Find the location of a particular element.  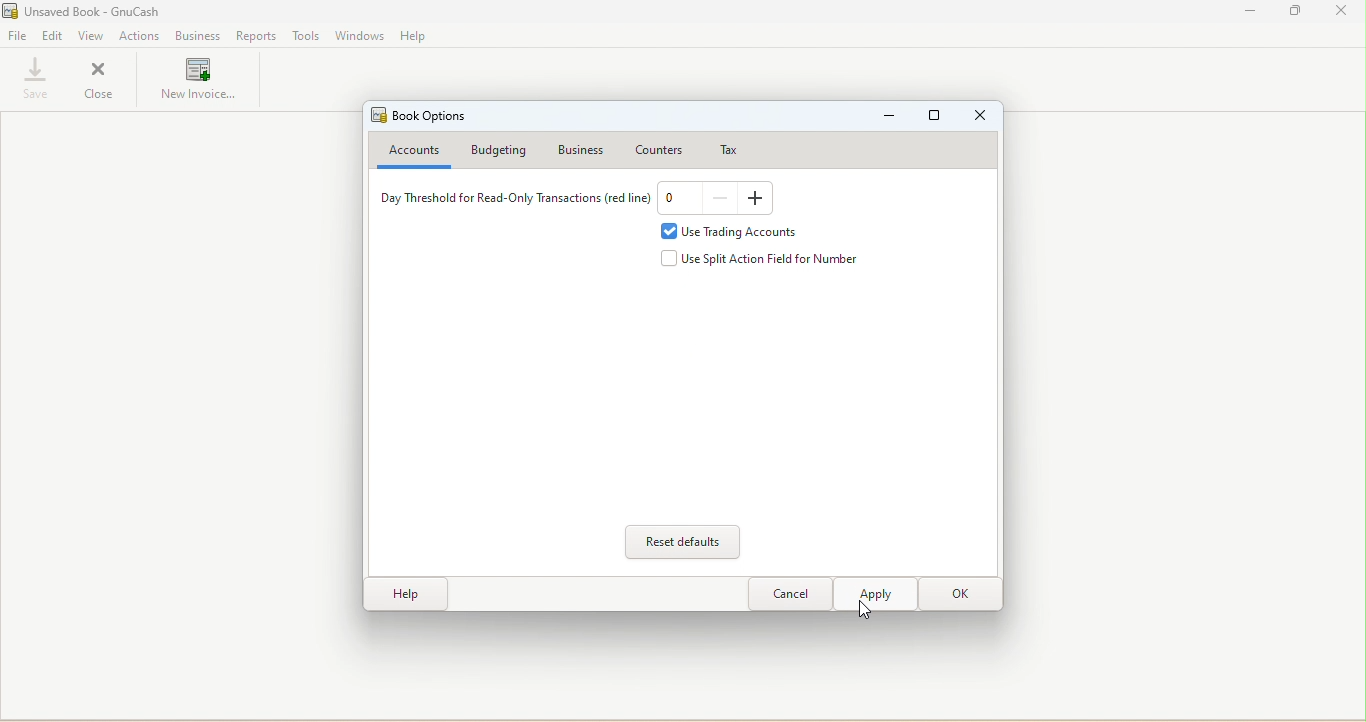

cursor is located at coordinates (863, 608).